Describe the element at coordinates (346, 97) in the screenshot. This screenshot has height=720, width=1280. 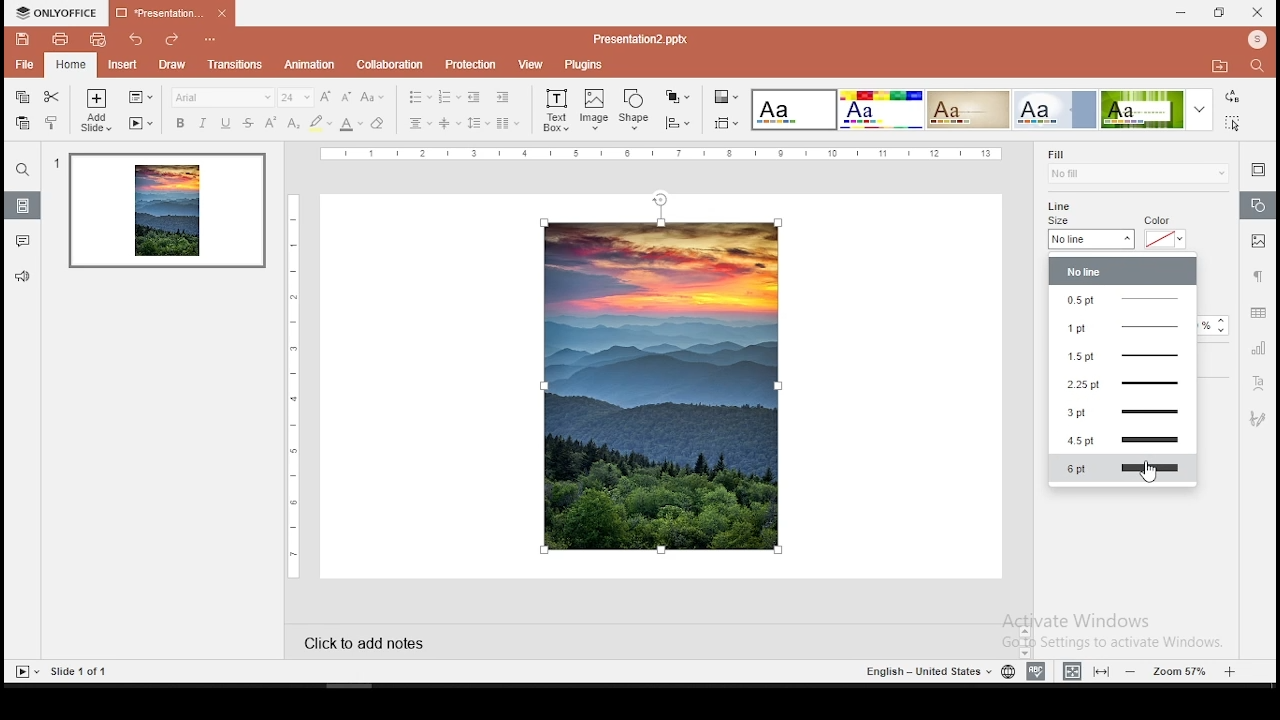
I see `decrease font size` at that location.